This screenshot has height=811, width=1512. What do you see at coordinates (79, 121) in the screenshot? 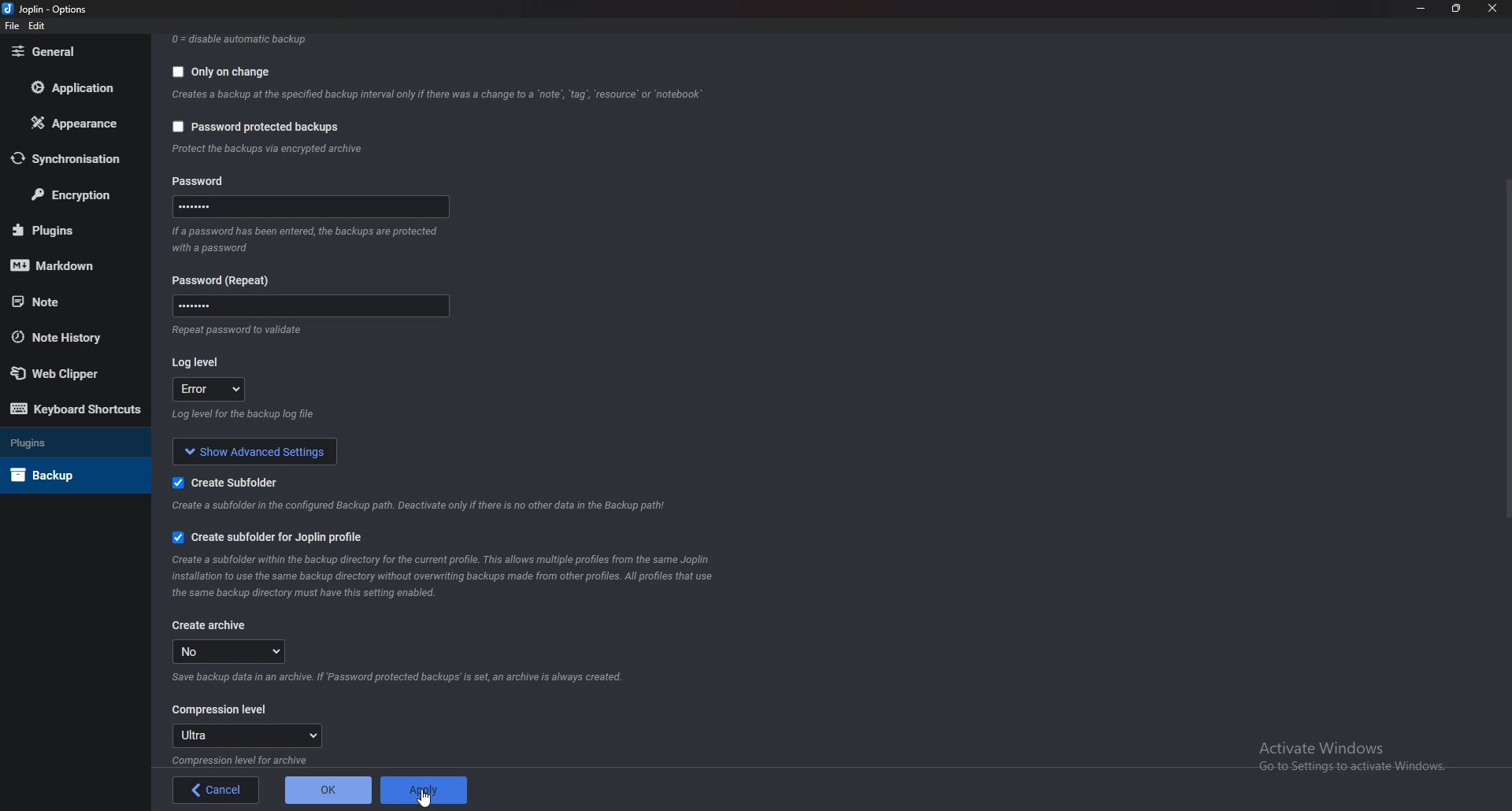
I see `Appearance` at bounding box center [79, 121].